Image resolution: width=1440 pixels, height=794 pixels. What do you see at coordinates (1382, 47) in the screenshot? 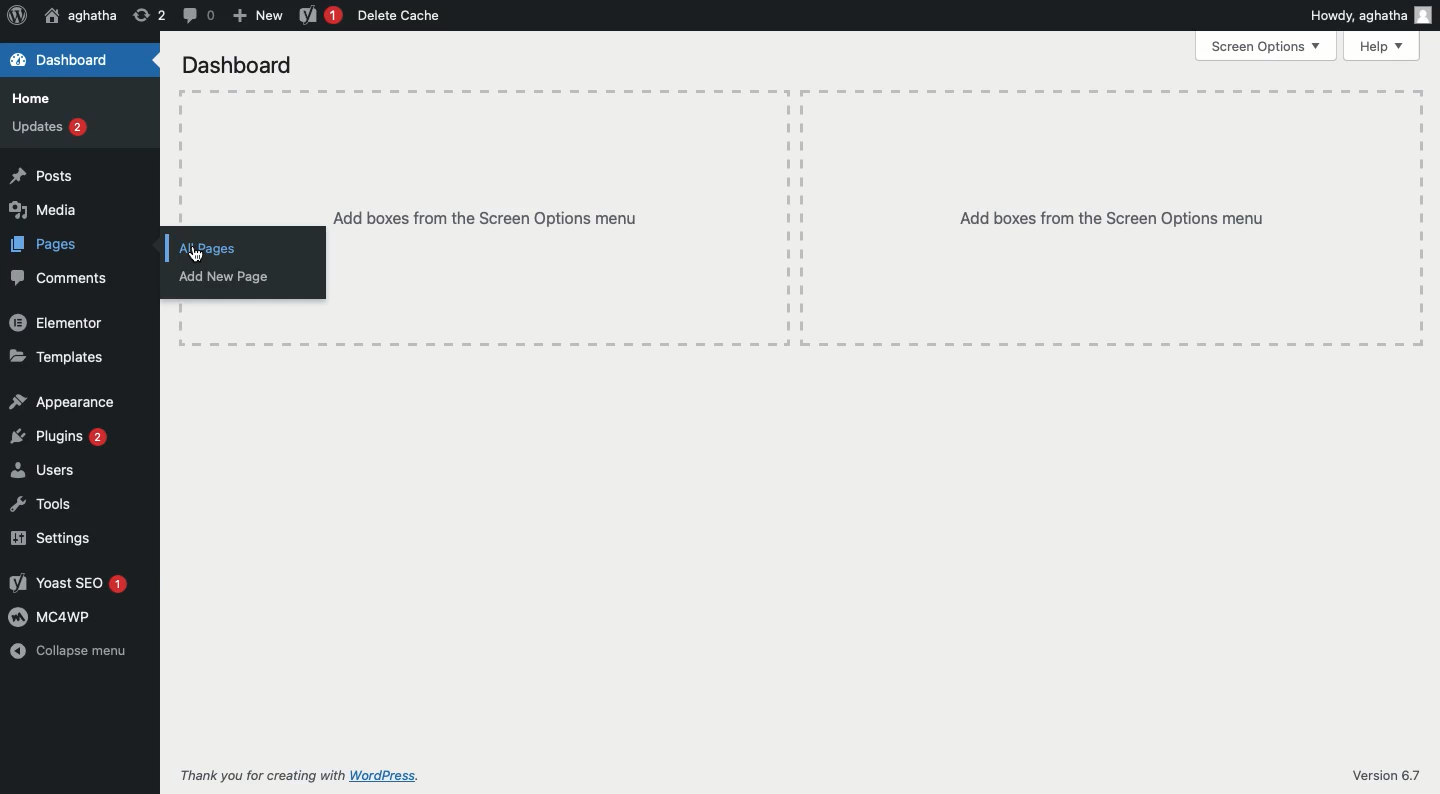
I see `Help` at bounding box center [1382, 47].